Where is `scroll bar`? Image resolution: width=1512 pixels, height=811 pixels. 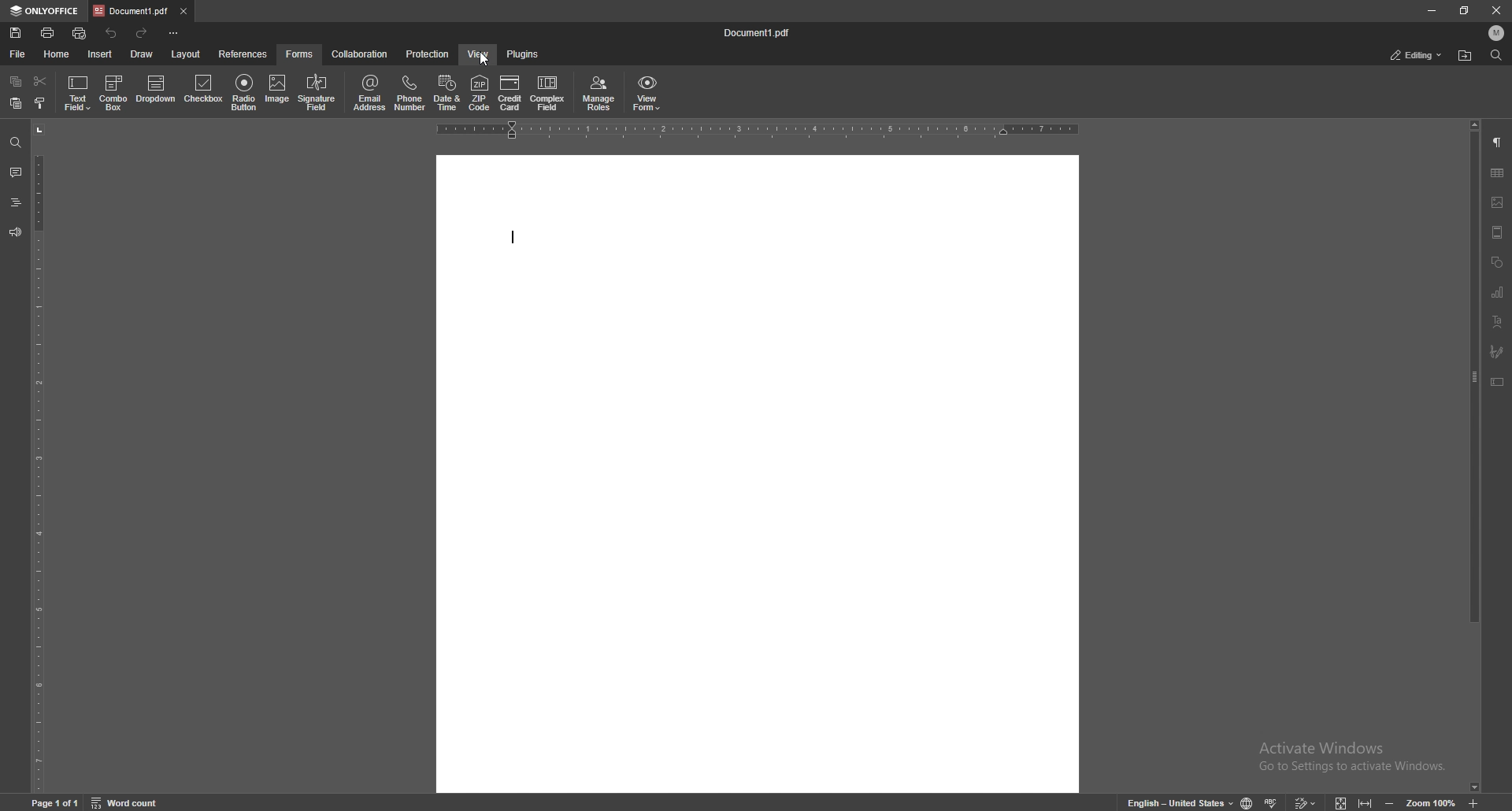 scroll bar is located at coordinates (1474, 457).